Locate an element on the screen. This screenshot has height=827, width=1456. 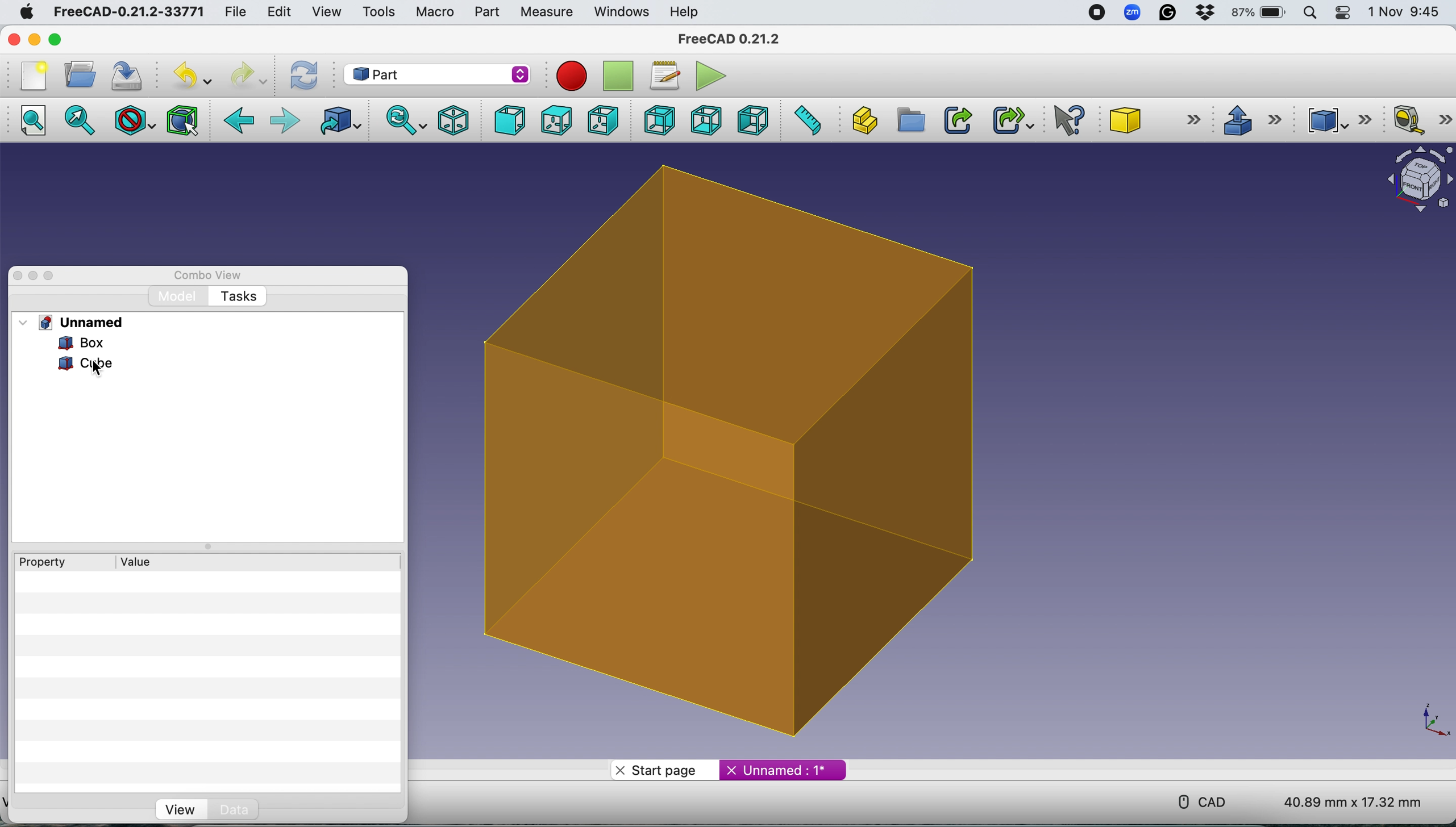
Bottom is located at coordinates (706, 120).